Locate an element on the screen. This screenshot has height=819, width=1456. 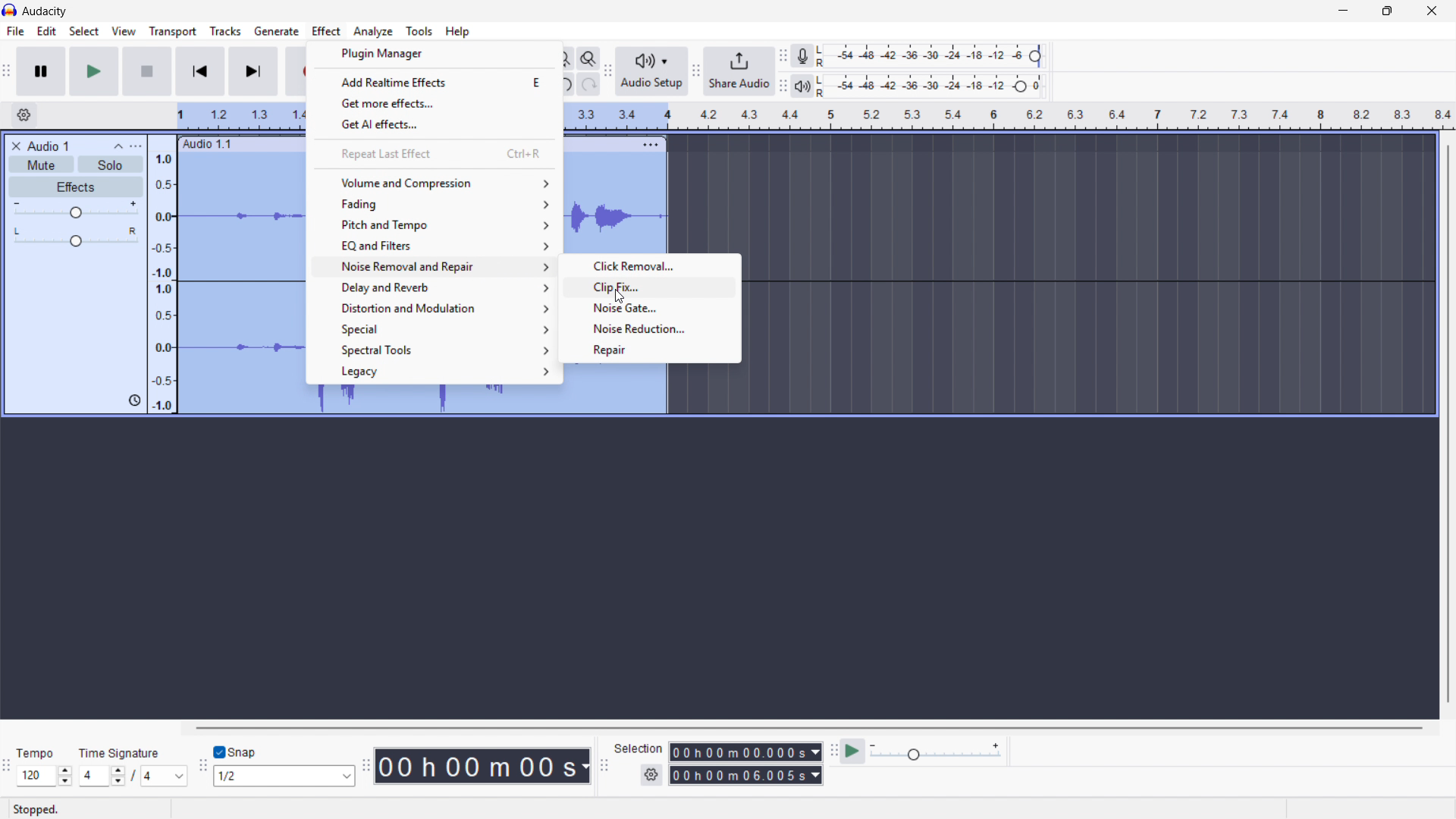
Cursor is located at coordinates (621, 299).